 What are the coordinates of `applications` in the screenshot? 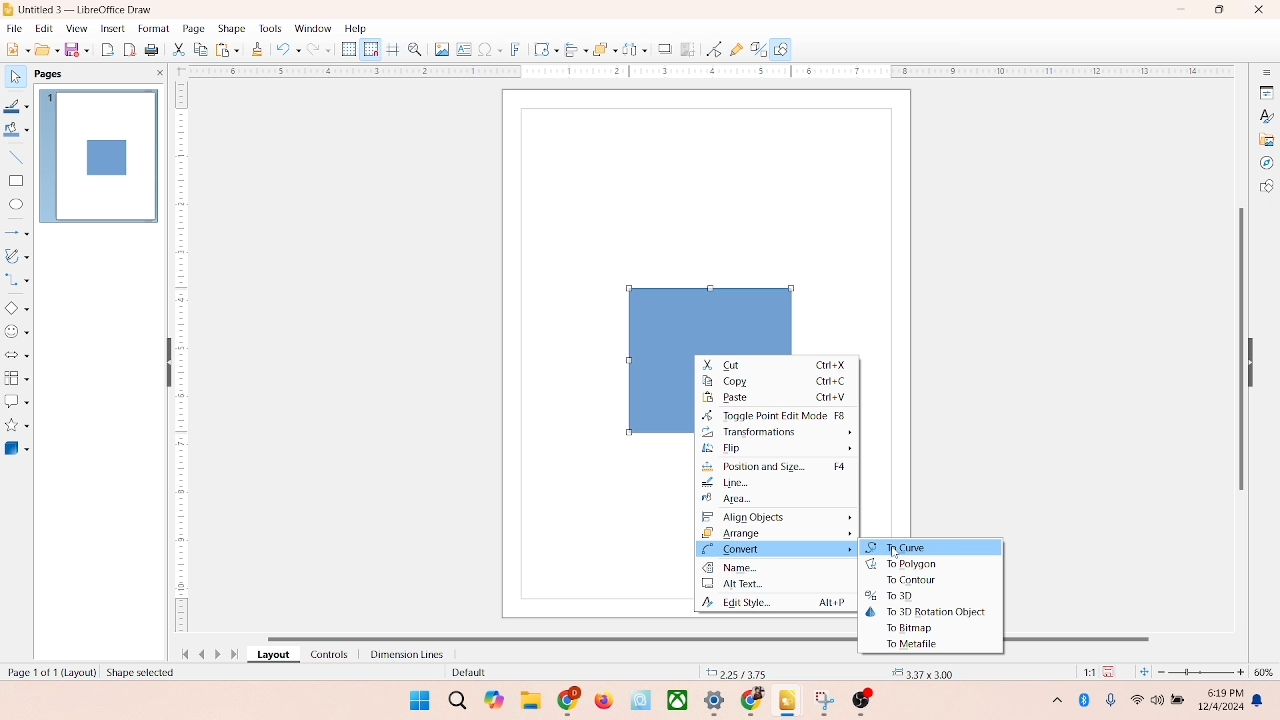 It's located at (721, 702).